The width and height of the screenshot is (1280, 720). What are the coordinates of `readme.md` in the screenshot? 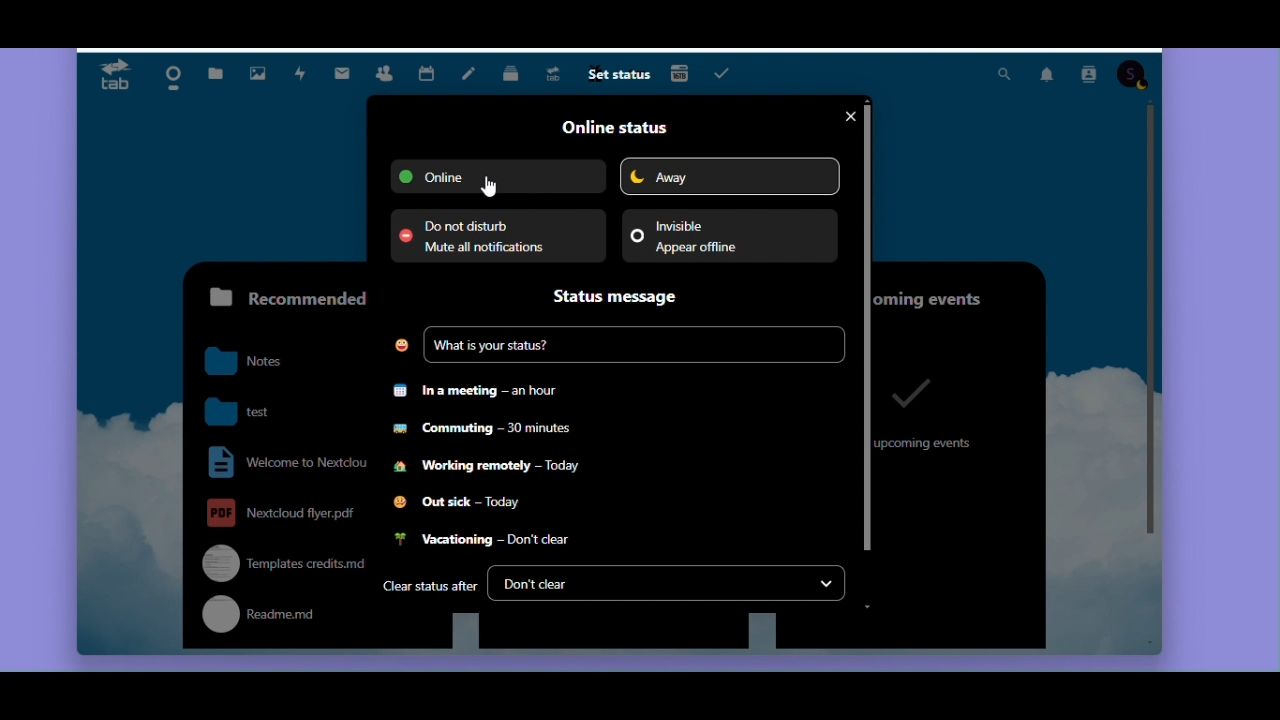 It's located at (279, 617).